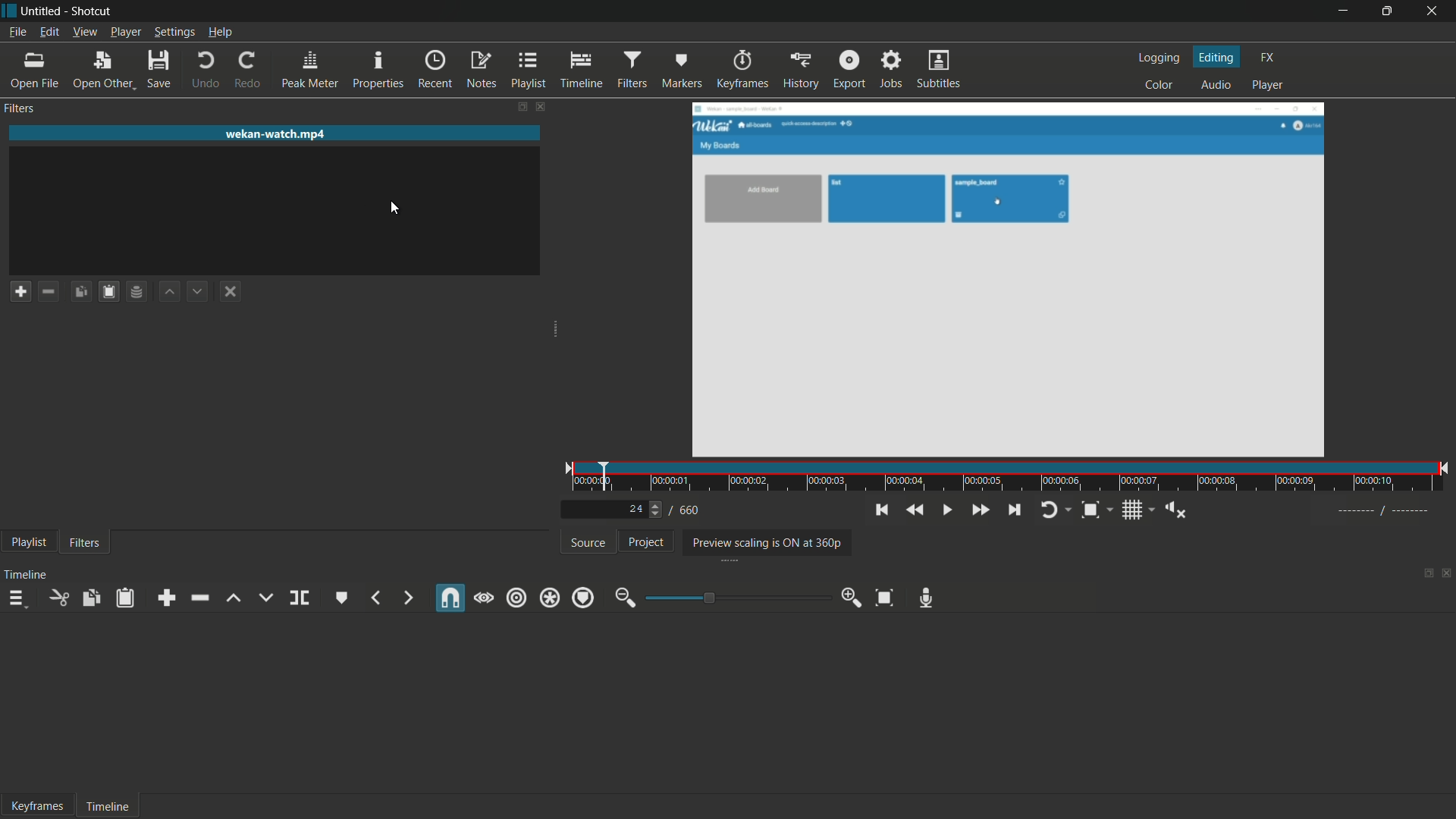 This screenshot has width=1456, height=819. I want to click on create or edit marker, so click(340, 597).